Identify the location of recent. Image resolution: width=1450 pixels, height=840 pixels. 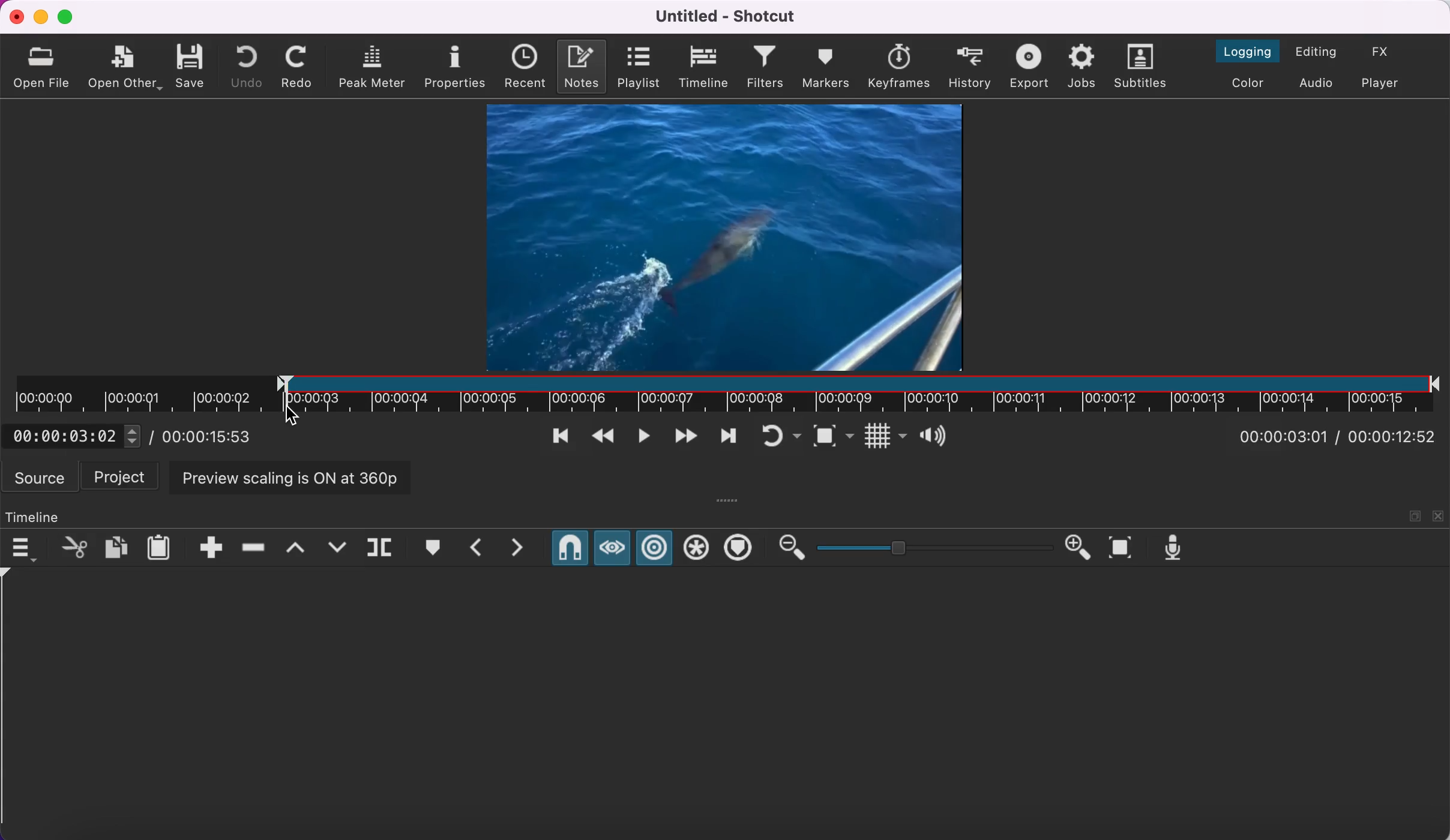
(526, 67).